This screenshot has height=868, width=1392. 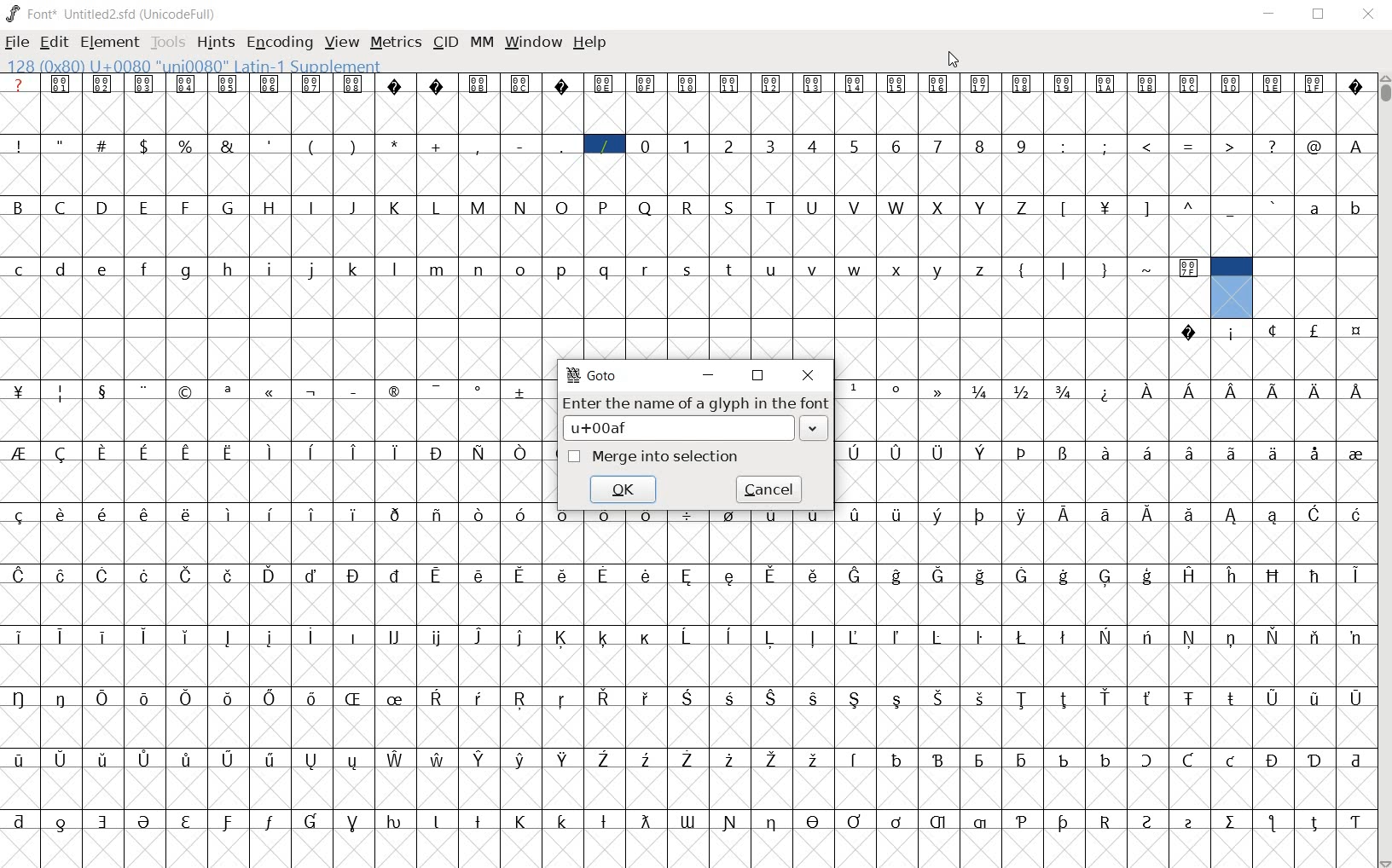 What do you see at coordinates (731, 83) in the screenshot?
I see `Symbol` at bounding box center [731, 83].